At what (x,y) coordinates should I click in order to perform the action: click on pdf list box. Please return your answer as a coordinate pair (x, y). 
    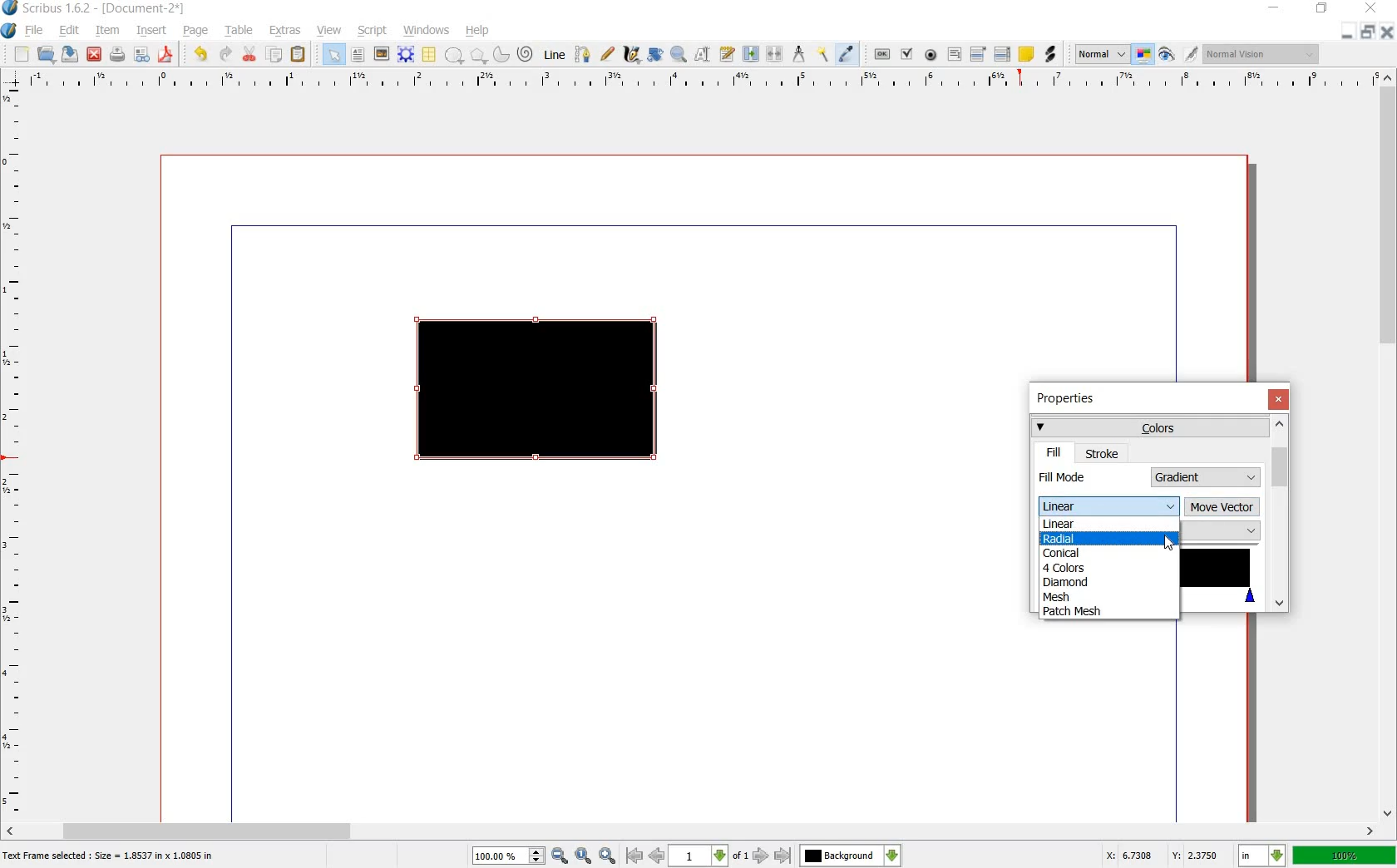
    Looking at the image, I should click on (1002, 53).